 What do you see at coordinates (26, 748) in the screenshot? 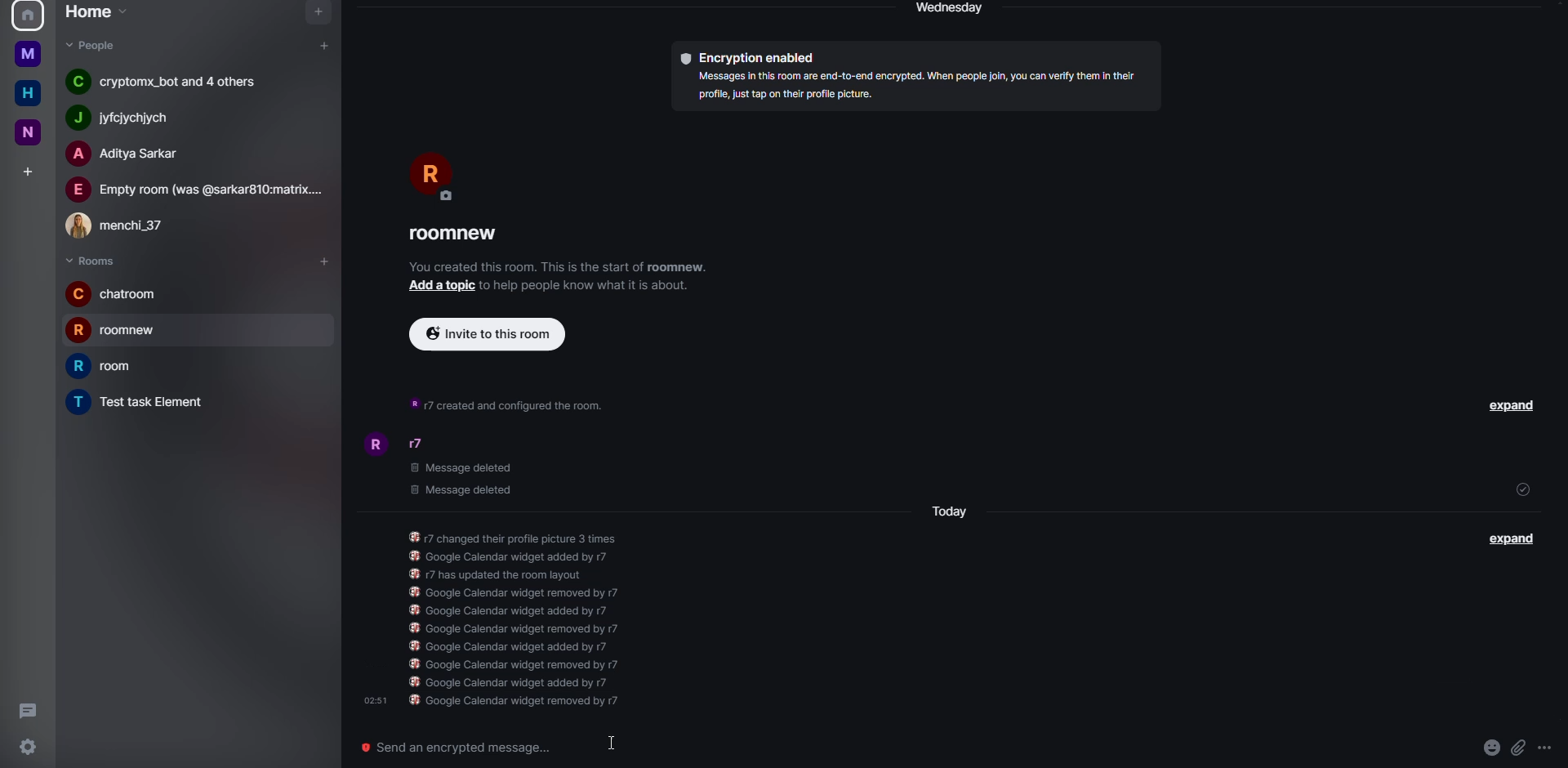
I see `settings` at bounding box center [26, 748].